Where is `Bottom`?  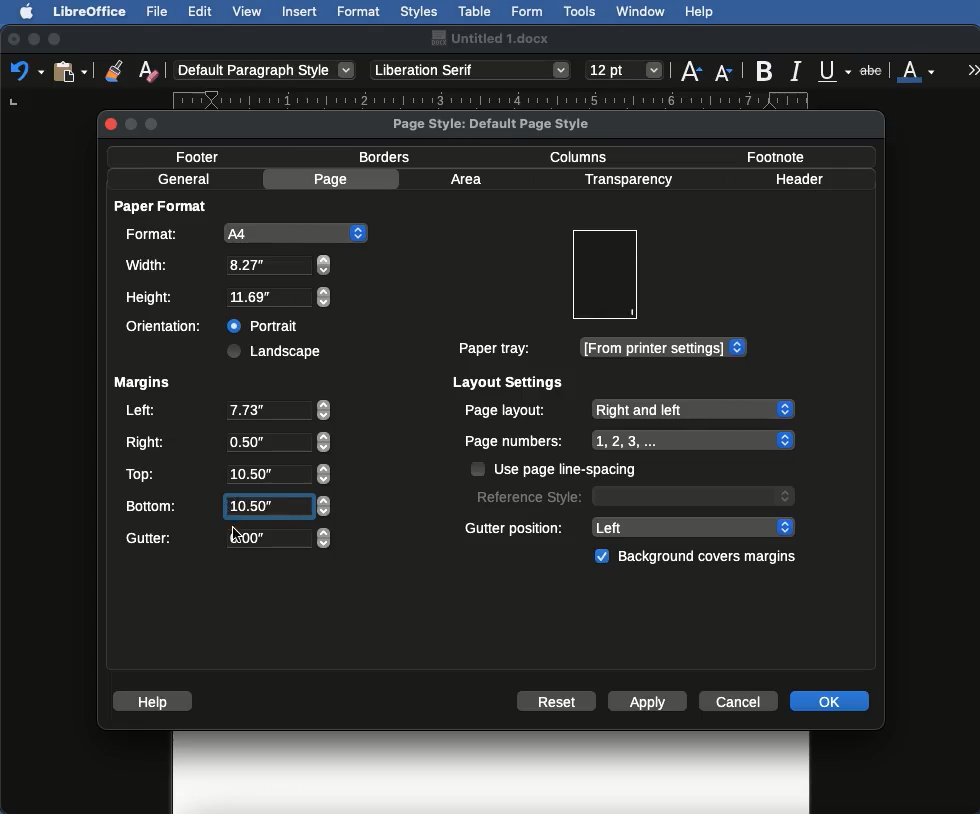
Bottom is located at coordinates (227, 504).